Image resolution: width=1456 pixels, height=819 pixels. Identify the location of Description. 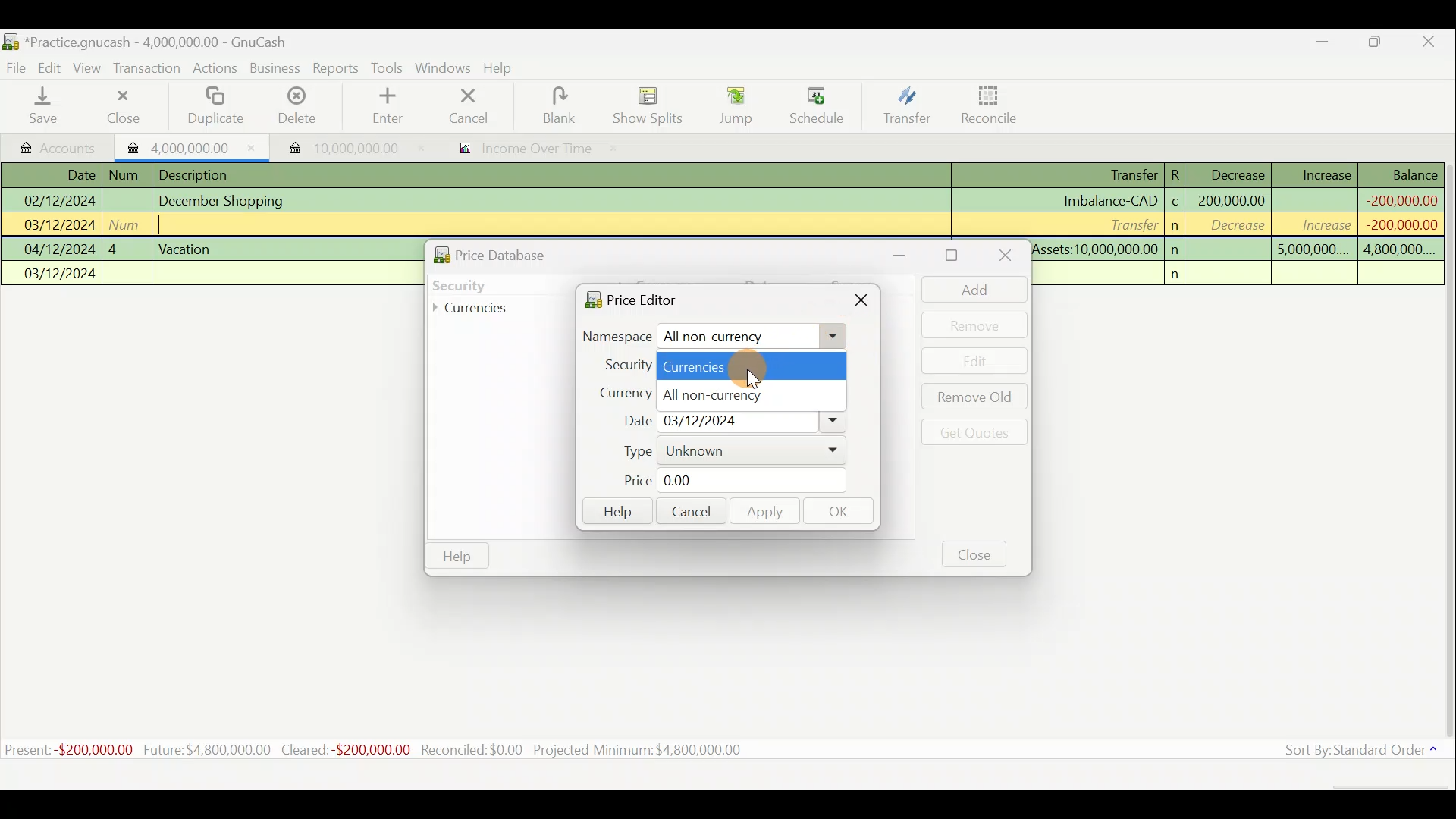
(199, 173).